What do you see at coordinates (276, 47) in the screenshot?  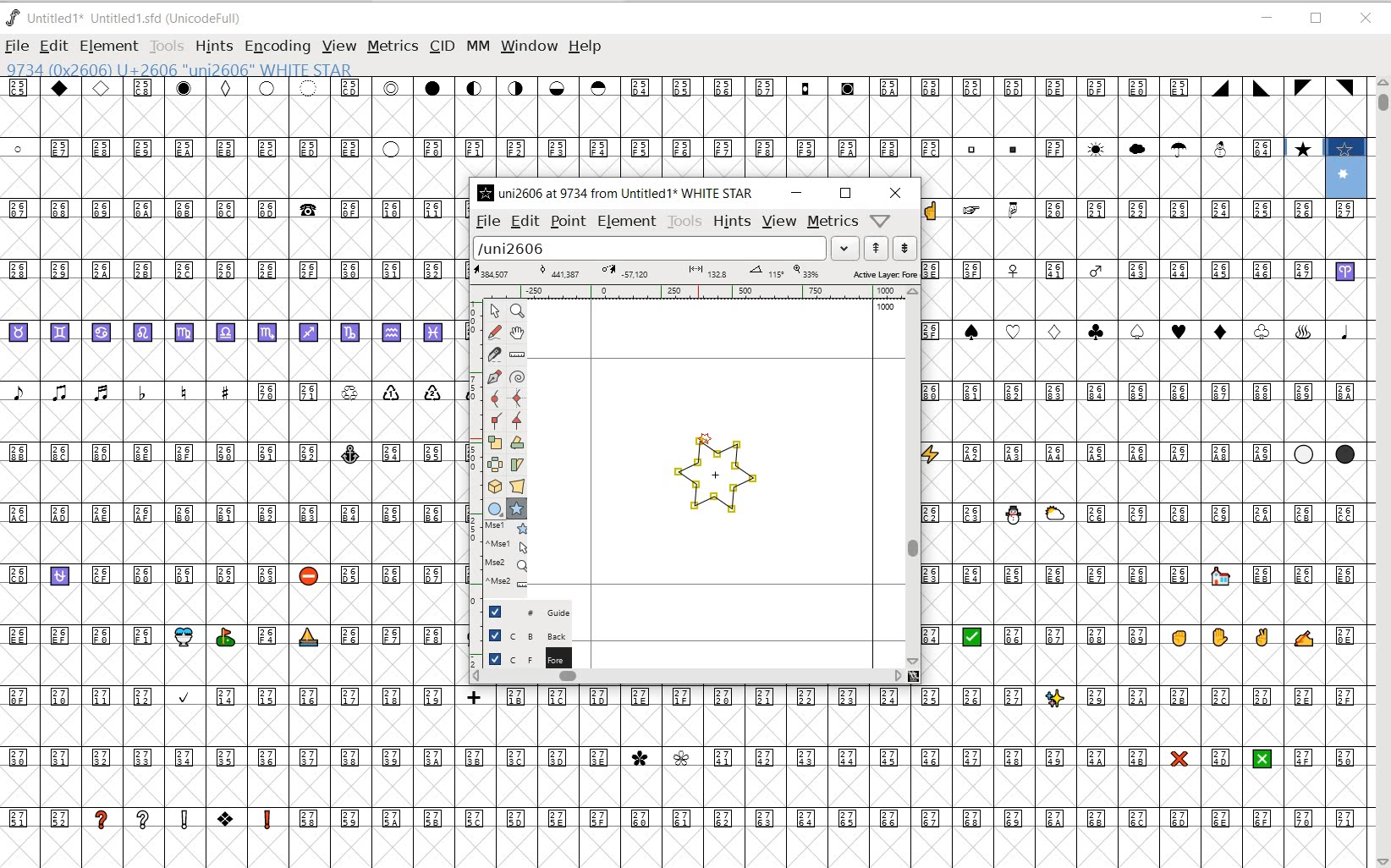 I see `ENCODING` at bounding box center [276, 47].